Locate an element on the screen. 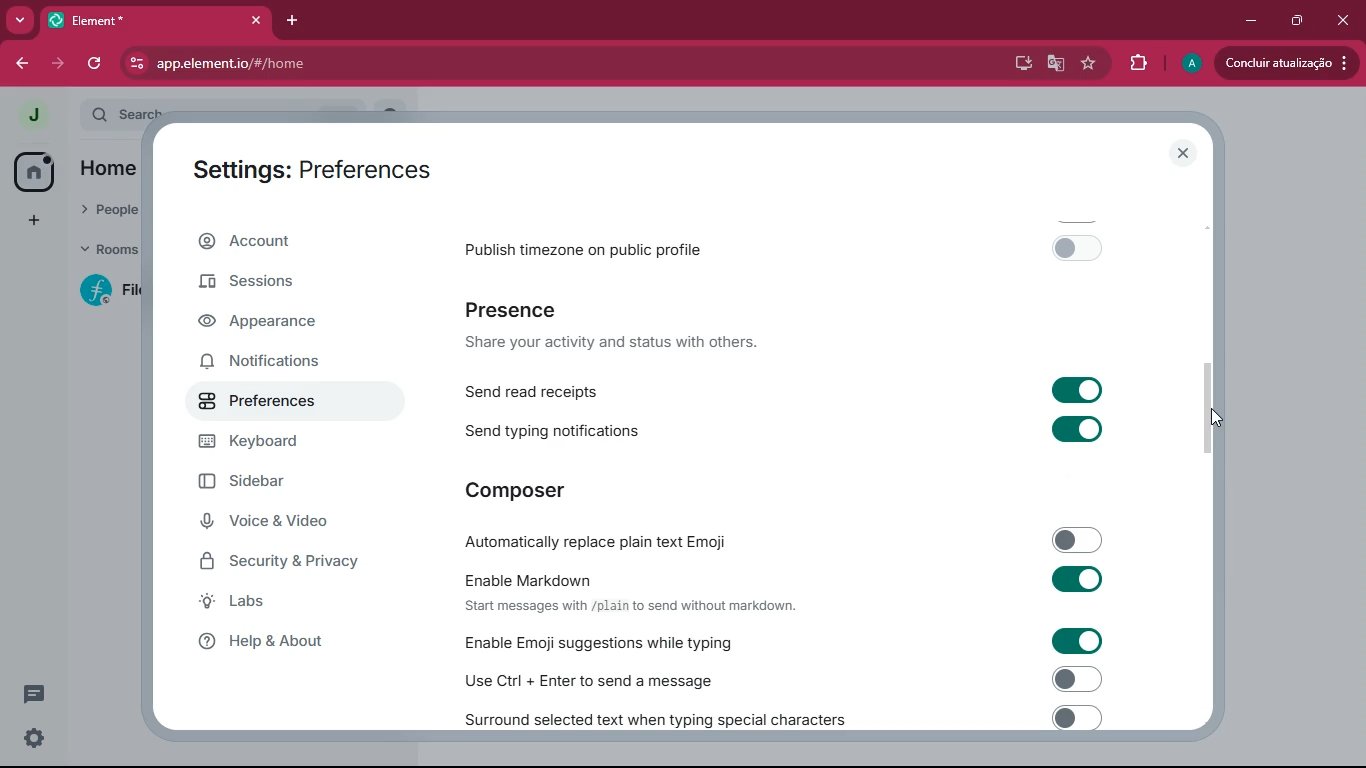 Image resolution: width=1366 pixels, height=768 pixels. notifications is located at coordinates (272, 364).